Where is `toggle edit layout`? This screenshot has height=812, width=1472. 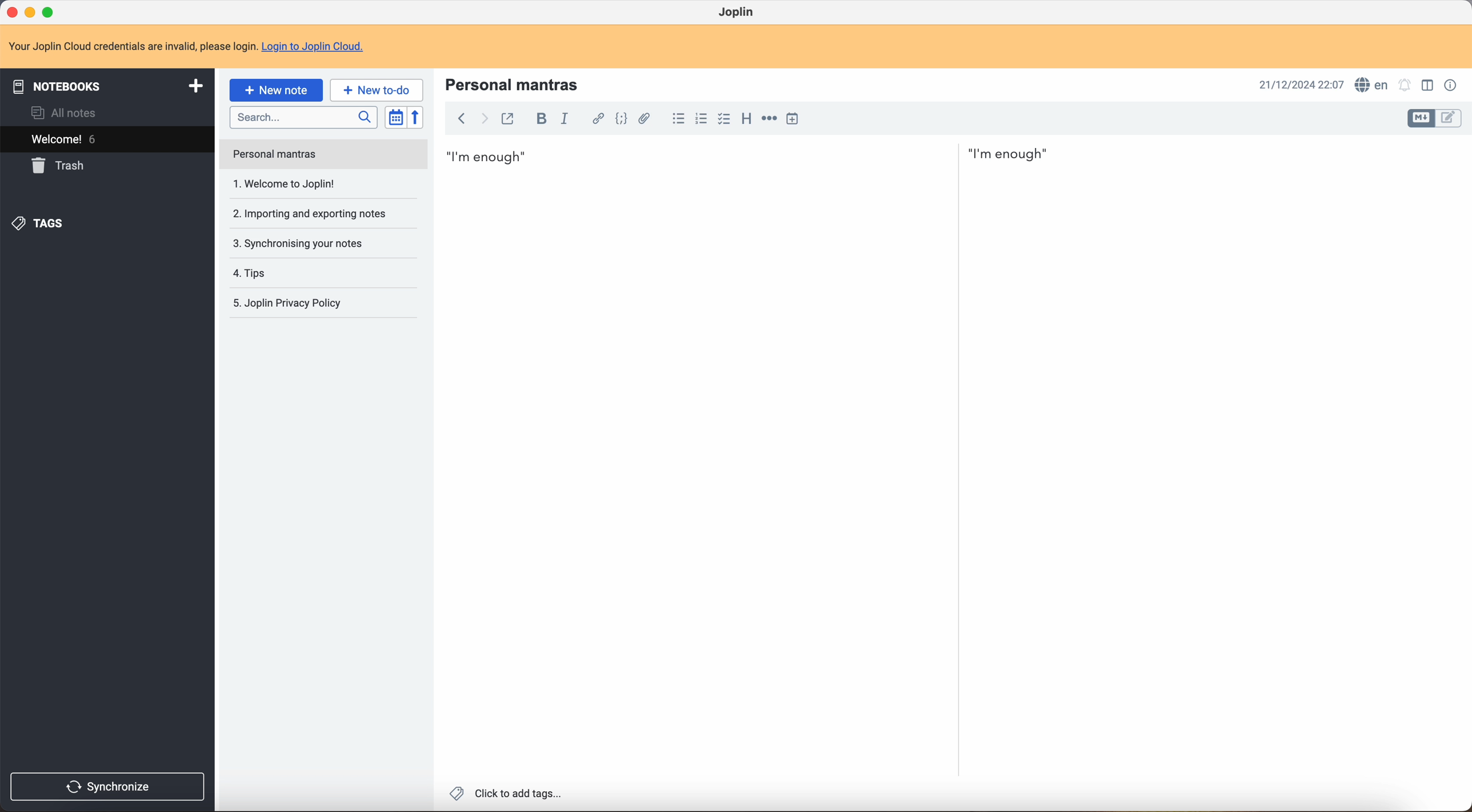 toggle edit layout is located at coordinates (1422, 119).